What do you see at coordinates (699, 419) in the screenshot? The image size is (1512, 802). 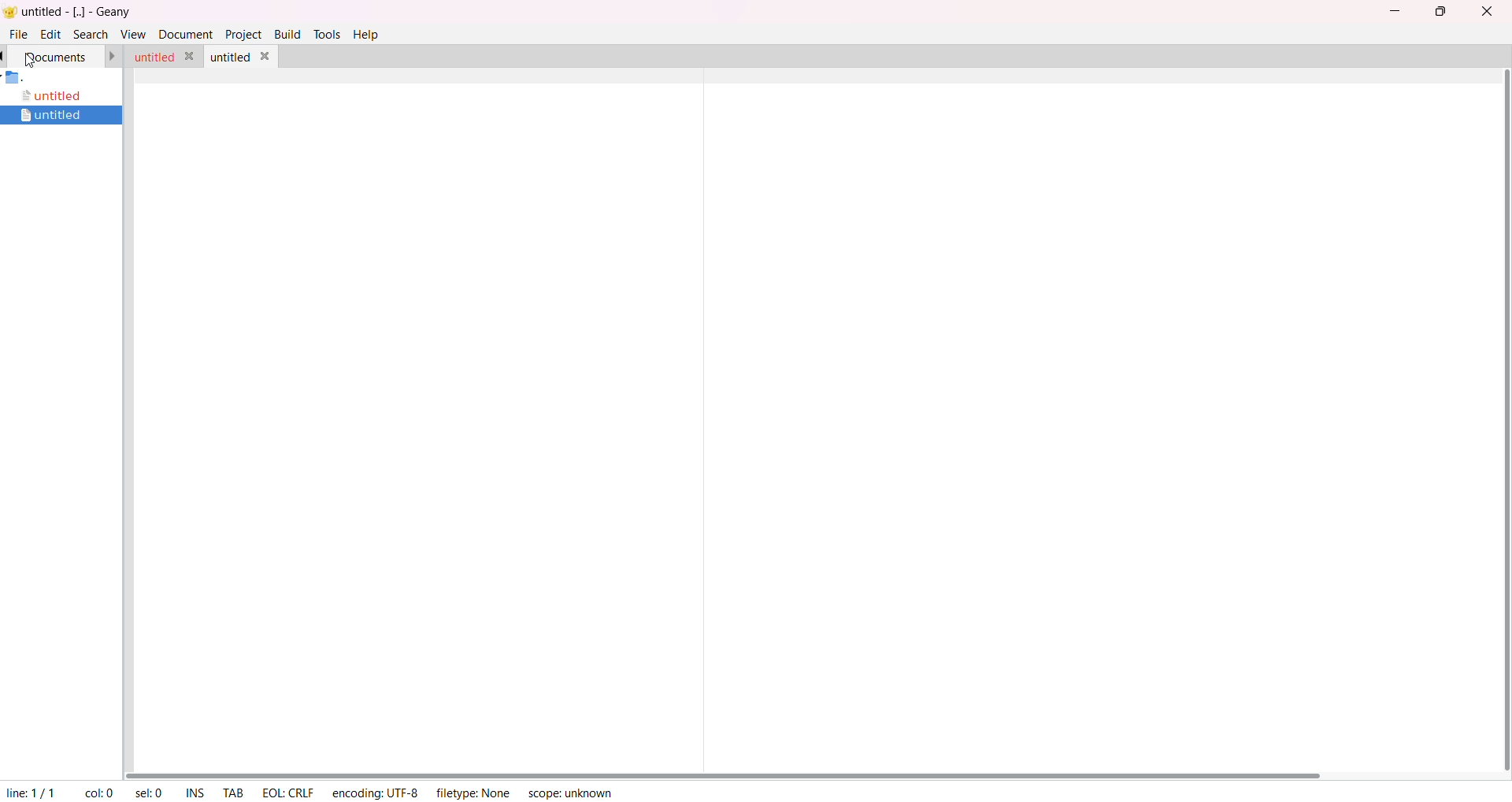 I see `separator` at bounding box center [699, 419].